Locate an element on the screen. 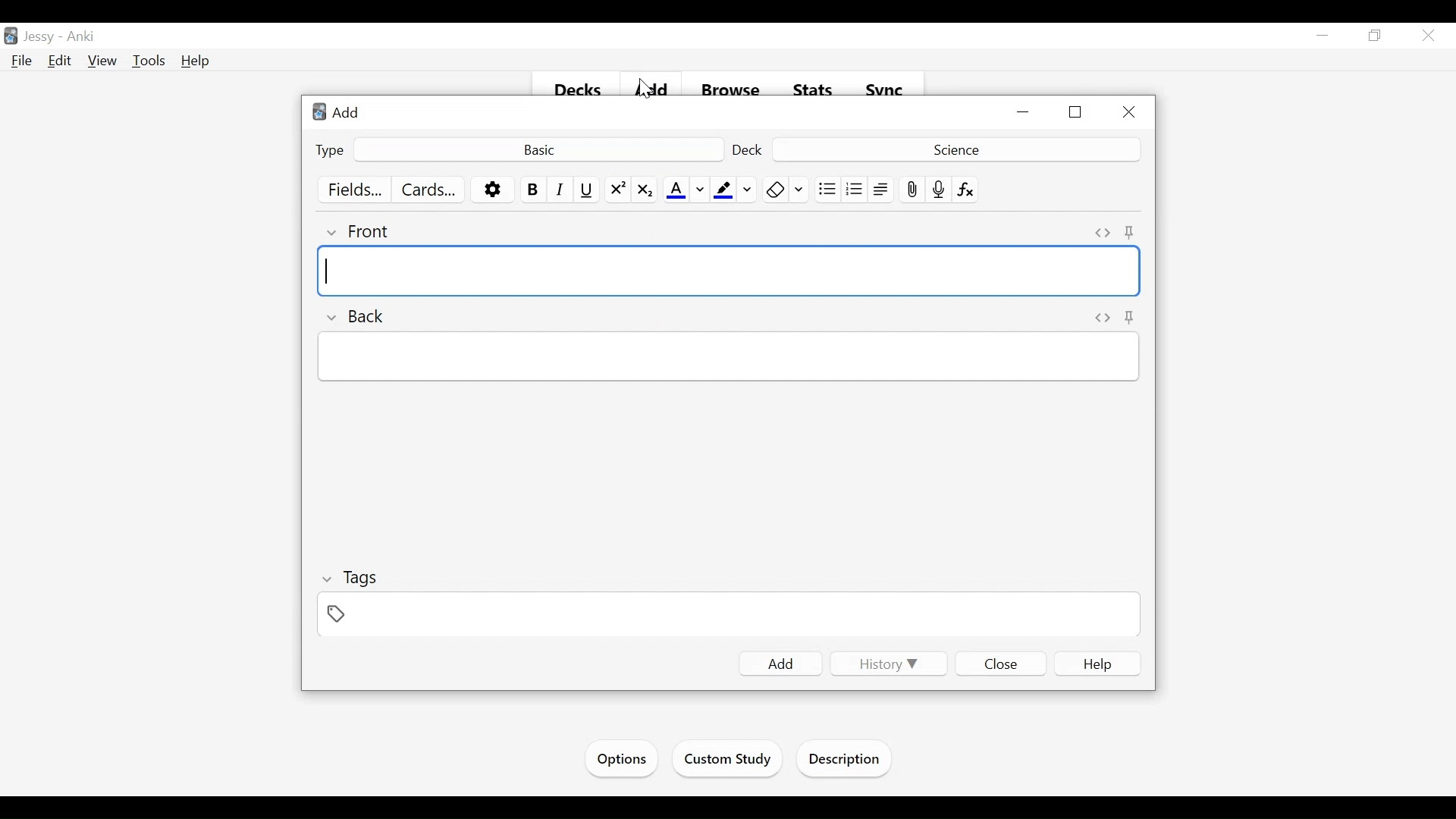  Edit is located at coordinates (60, 60).